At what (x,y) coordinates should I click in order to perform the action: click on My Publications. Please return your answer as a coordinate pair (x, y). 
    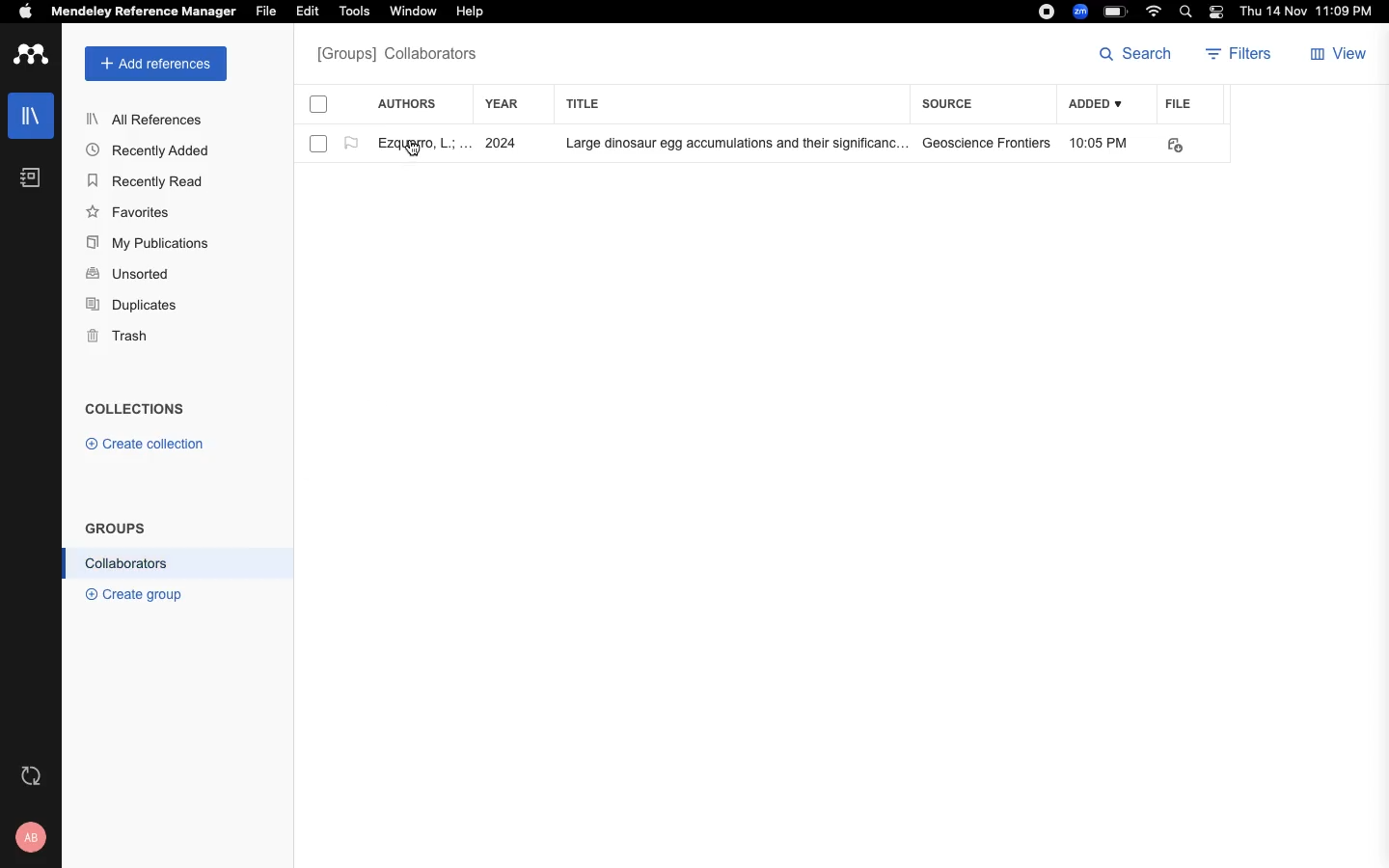
    Looking at the image, I should click on (149, 246).